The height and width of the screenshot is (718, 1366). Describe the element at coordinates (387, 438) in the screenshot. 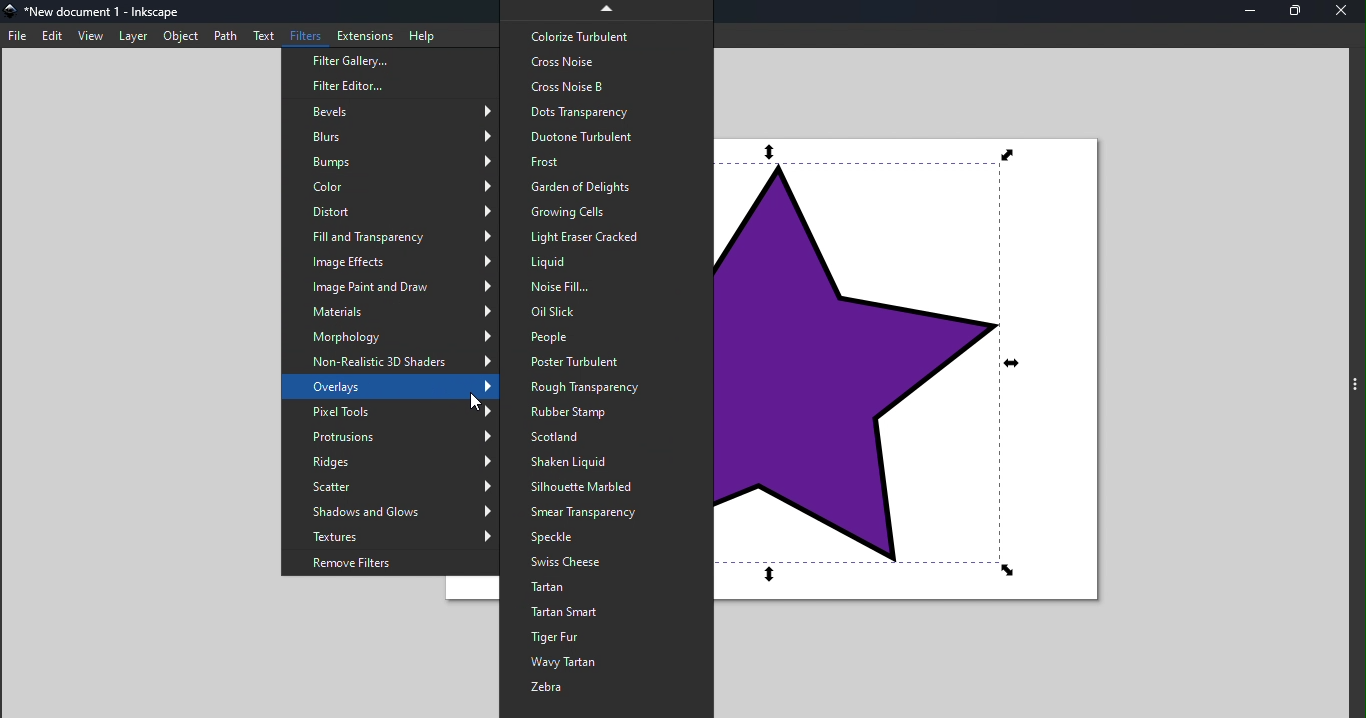

I see `Protrusions` at that location.